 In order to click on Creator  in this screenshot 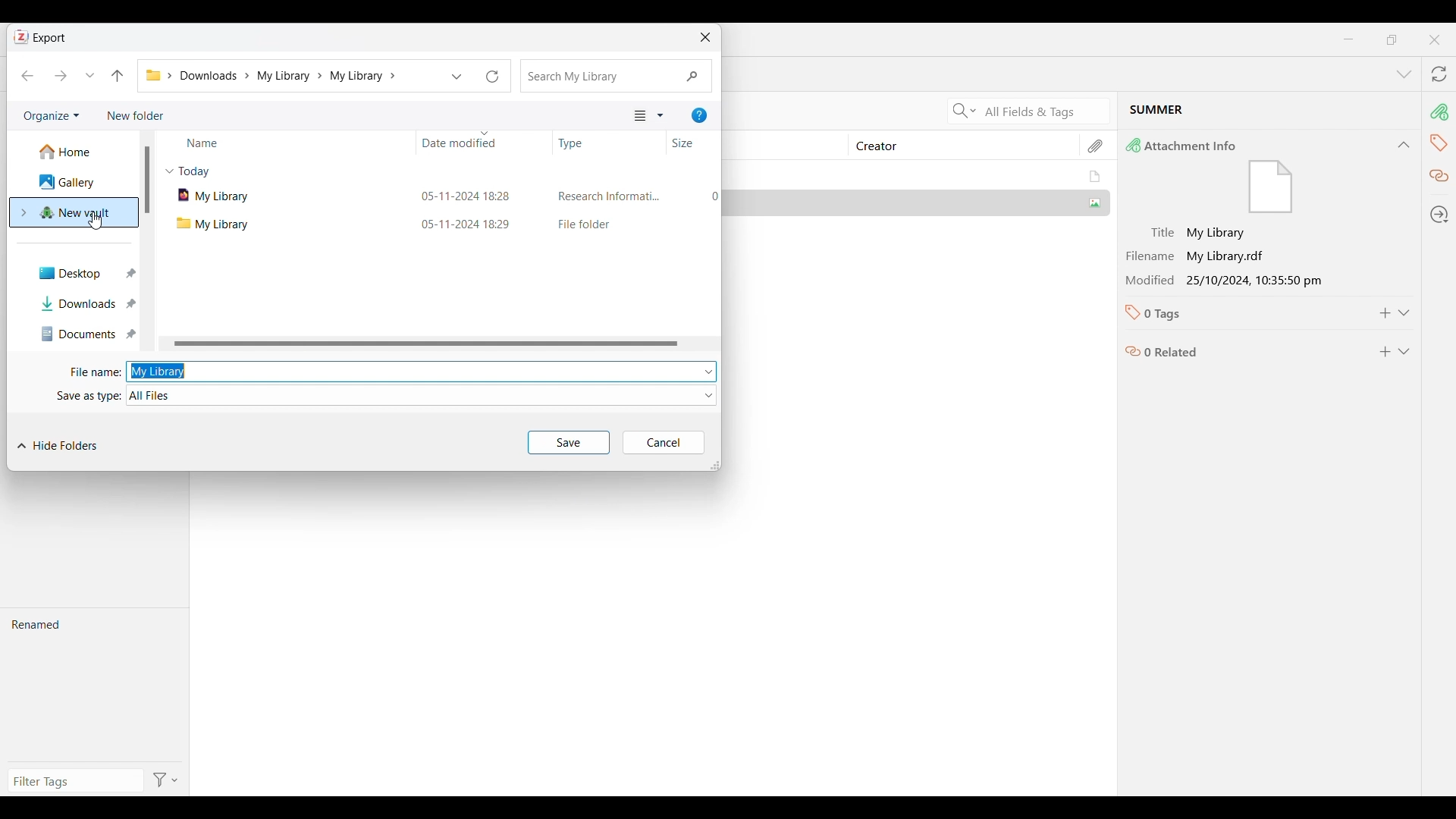, I will do `click(956, 146)`.